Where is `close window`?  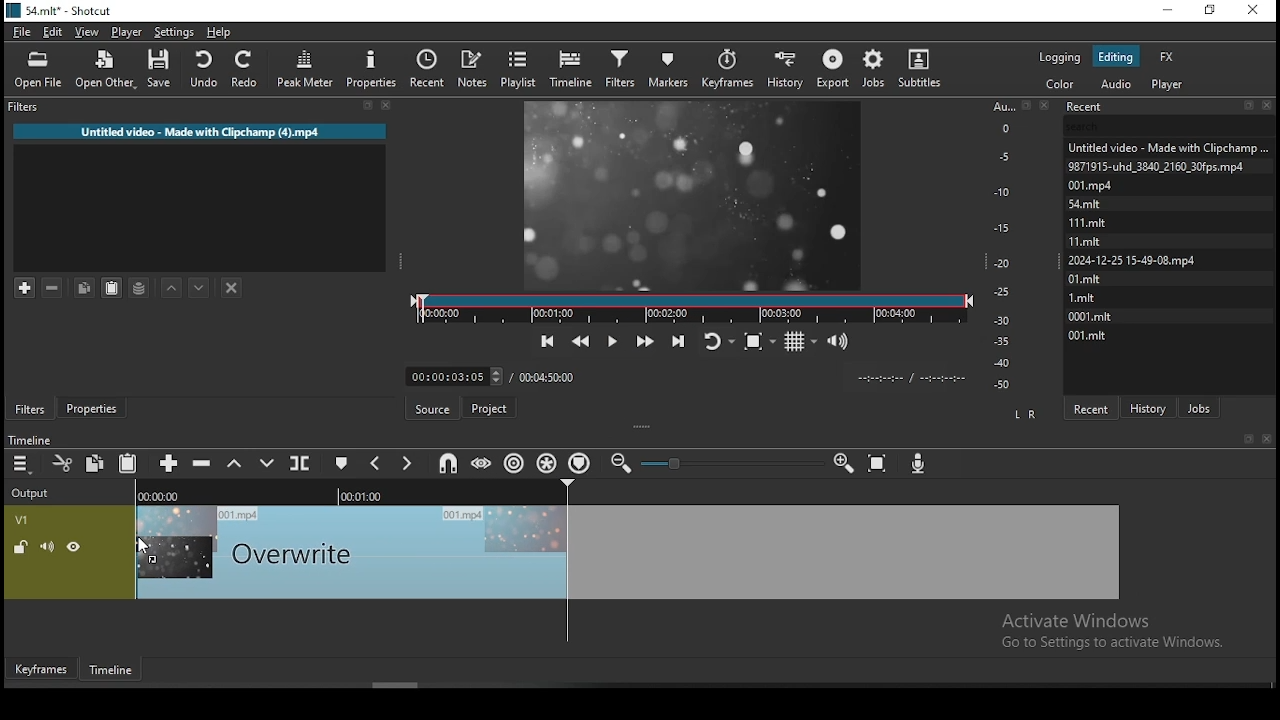
close window is located at coordinates (1253, 9).